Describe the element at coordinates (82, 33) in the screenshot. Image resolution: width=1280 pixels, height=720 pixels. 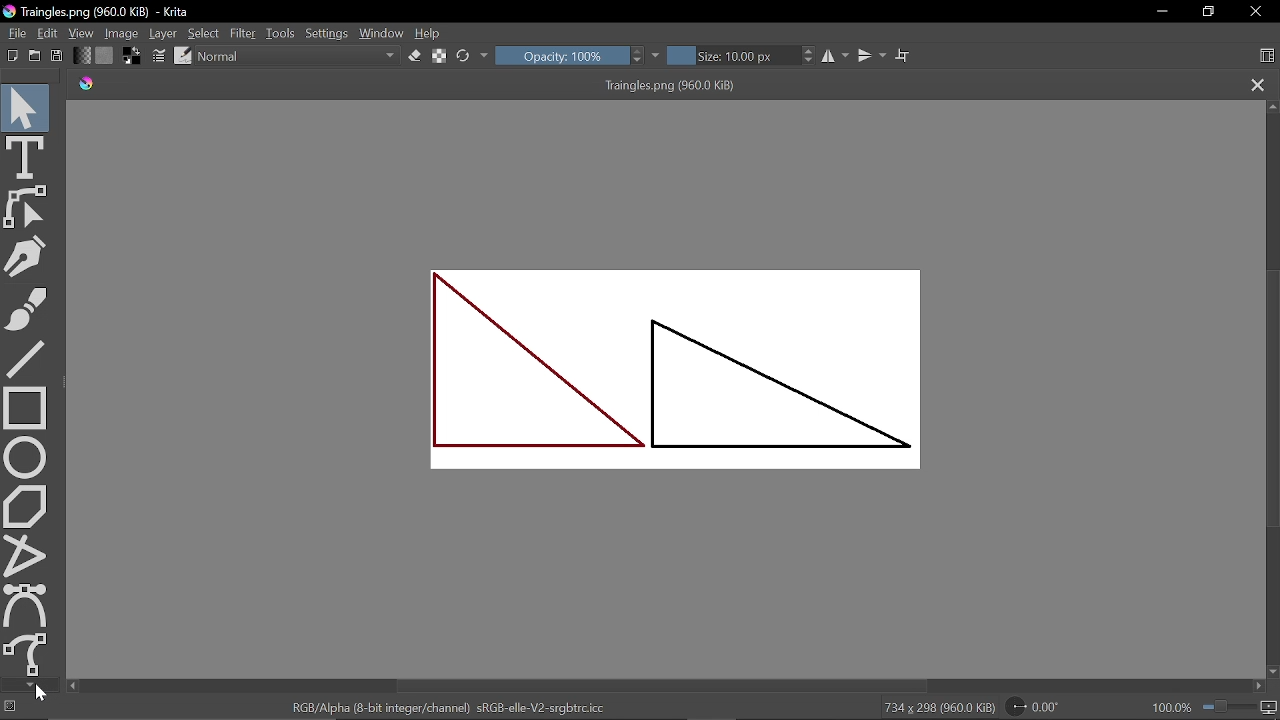
I see `View` at that location.